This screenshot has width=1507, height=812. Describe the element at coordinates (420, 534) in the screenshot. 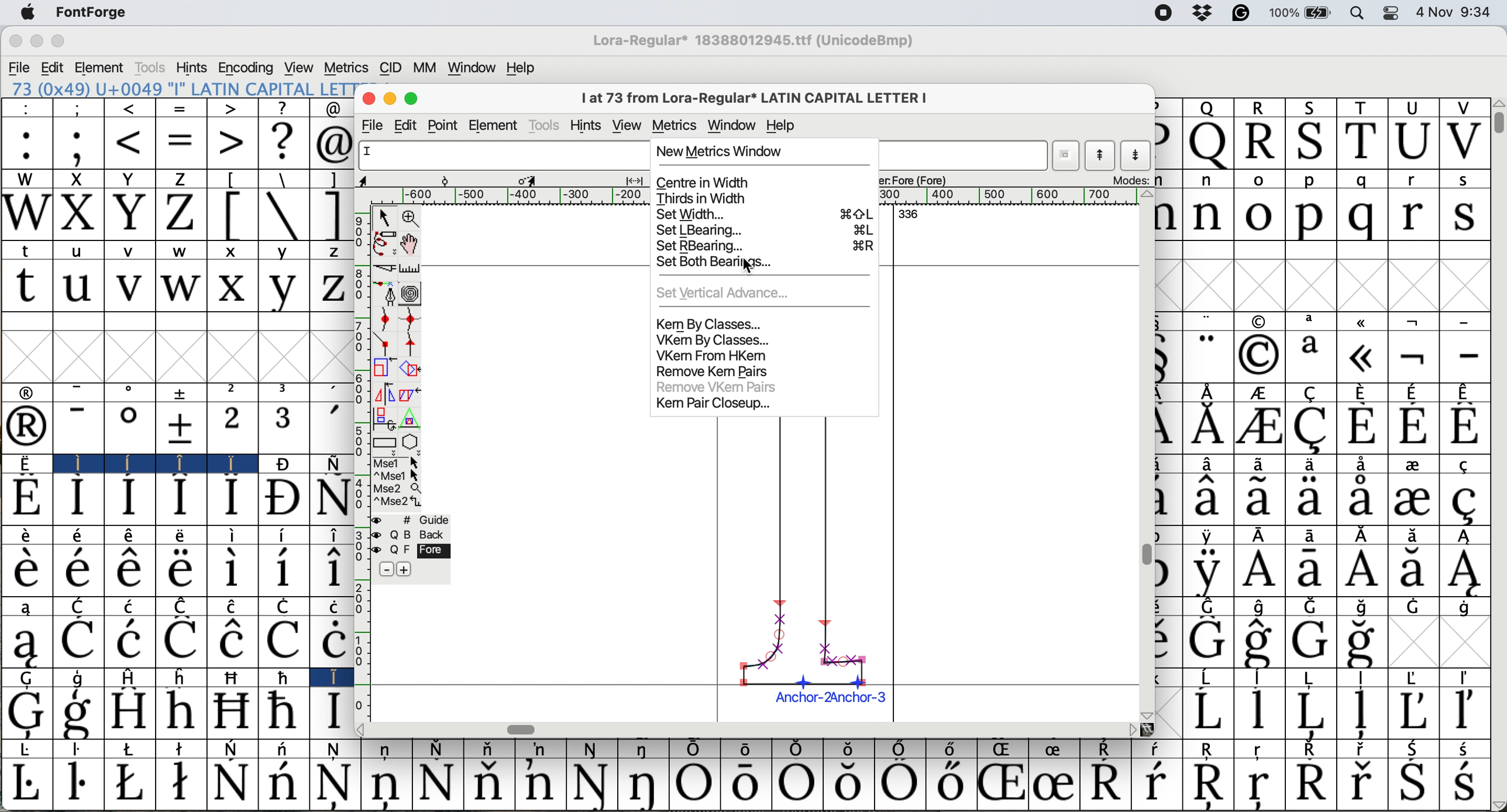

I see `back` at that location.